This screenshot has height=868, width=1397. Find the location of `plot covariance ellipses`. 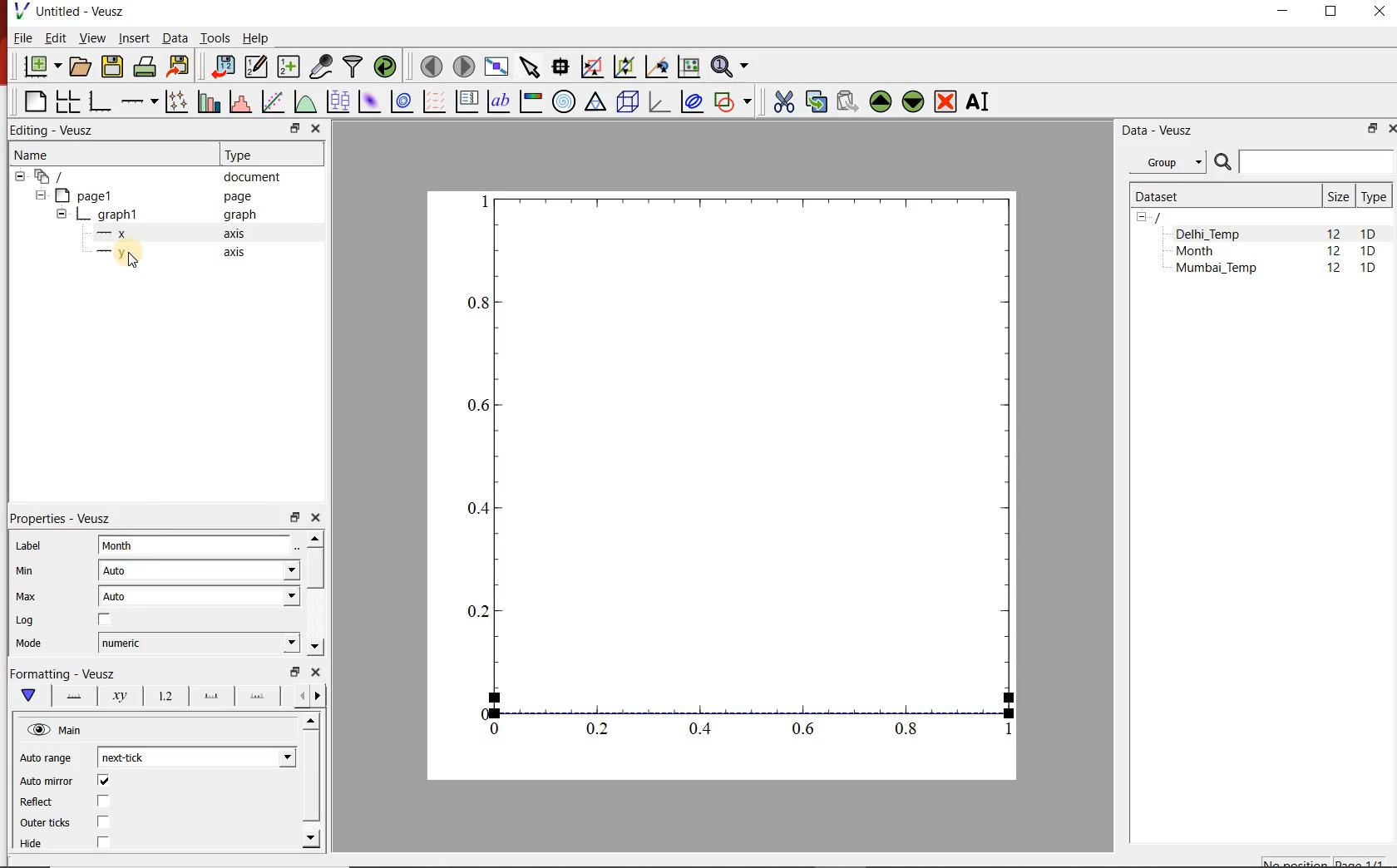

plot covariance ellipses is located at coordinates (692, 101).